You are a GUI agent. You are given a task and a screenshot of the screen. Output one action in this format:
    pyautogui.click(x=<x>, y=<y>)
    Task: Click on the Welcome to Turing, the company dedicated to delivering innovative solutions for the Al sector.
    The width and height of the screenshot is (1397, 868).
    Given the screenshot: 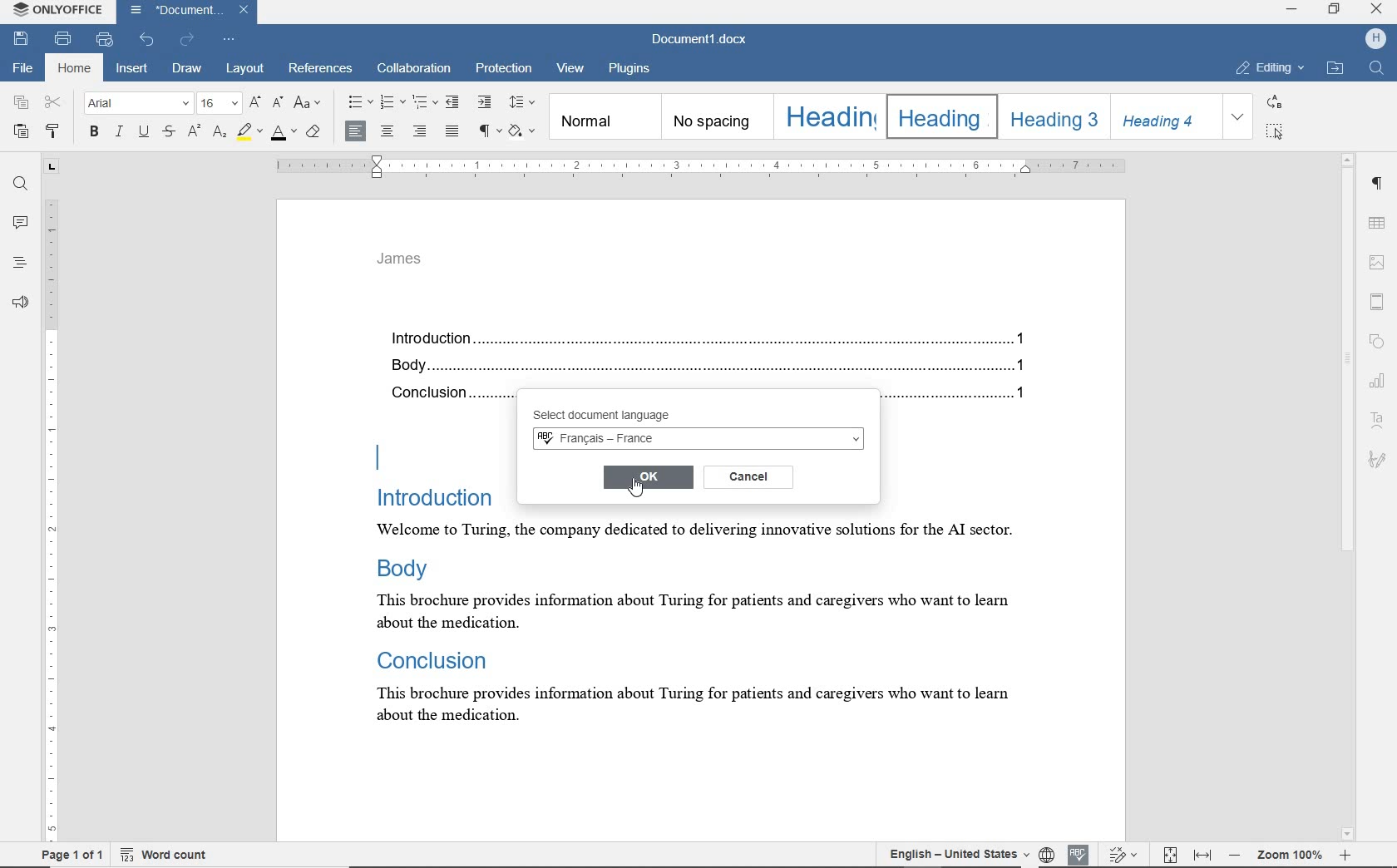 What is the action you would take?
    pyautogui.click(x=692, y=531)
    